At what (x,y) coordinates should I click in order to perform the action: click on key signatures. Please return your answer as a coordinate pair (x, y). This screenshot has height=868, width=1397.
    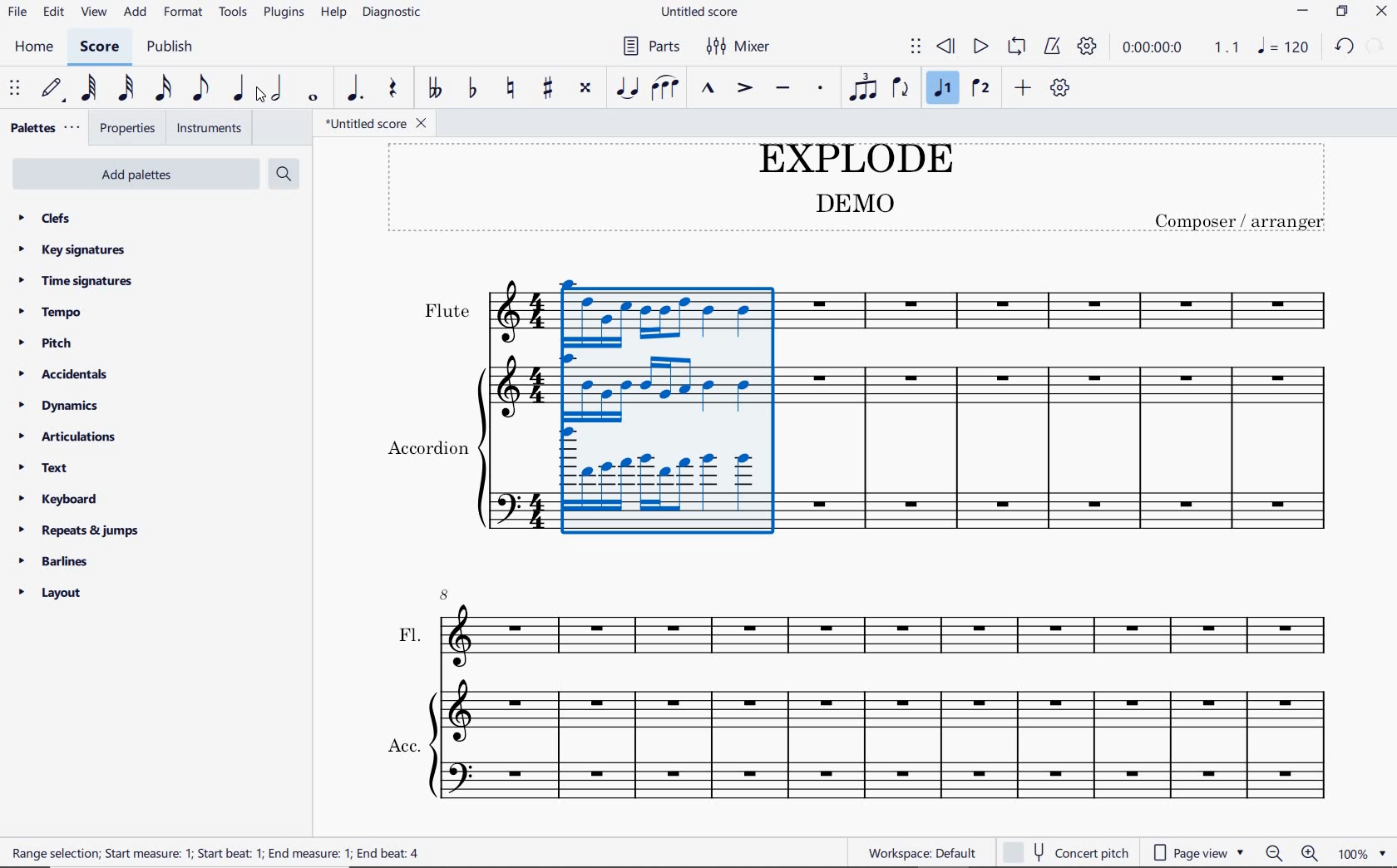
    Looking at the image, I should click on (72, 249).